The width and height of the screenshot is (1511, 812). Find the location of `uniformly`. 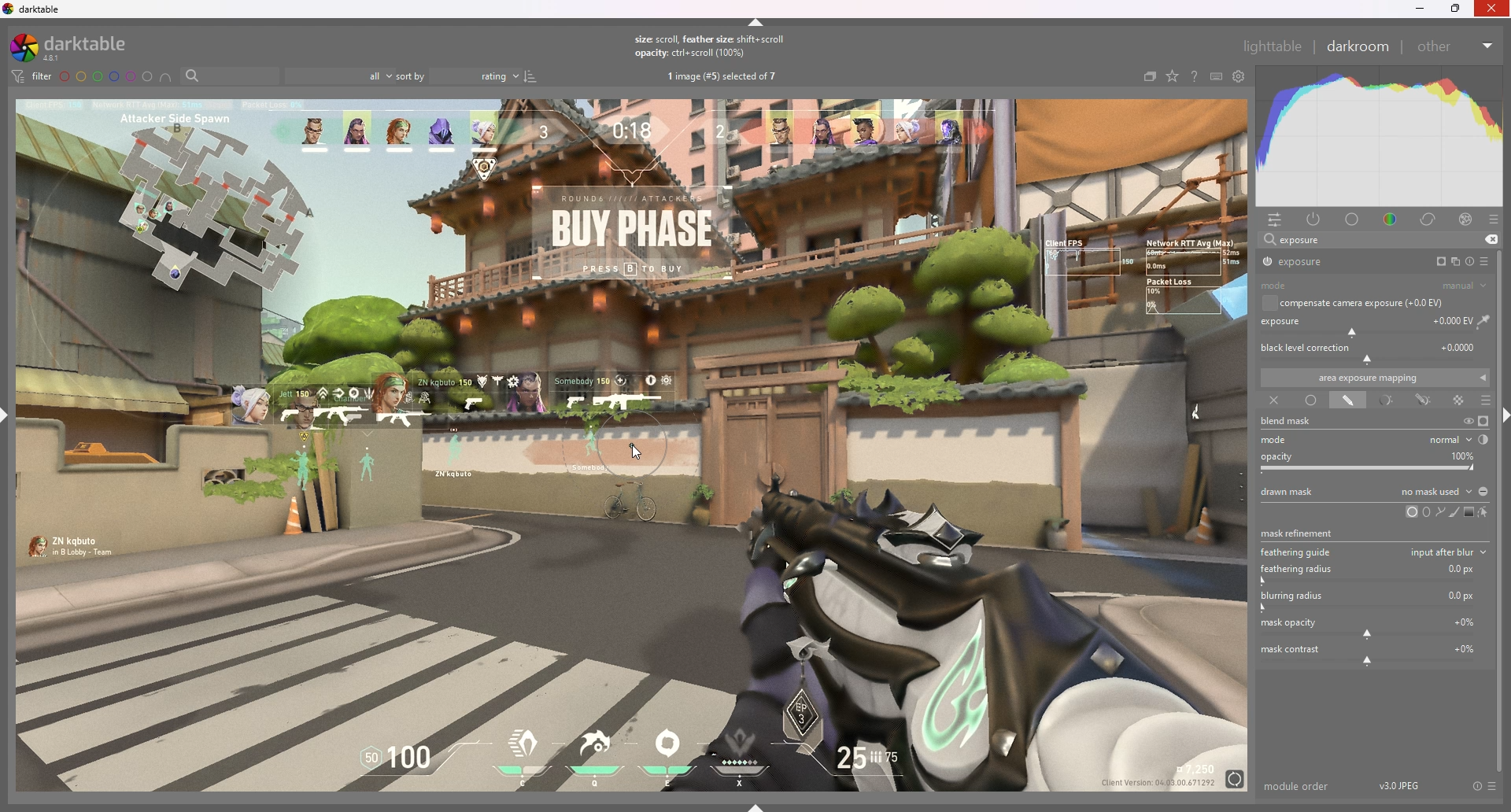

uniformly is located at coordinates (1311, 400).